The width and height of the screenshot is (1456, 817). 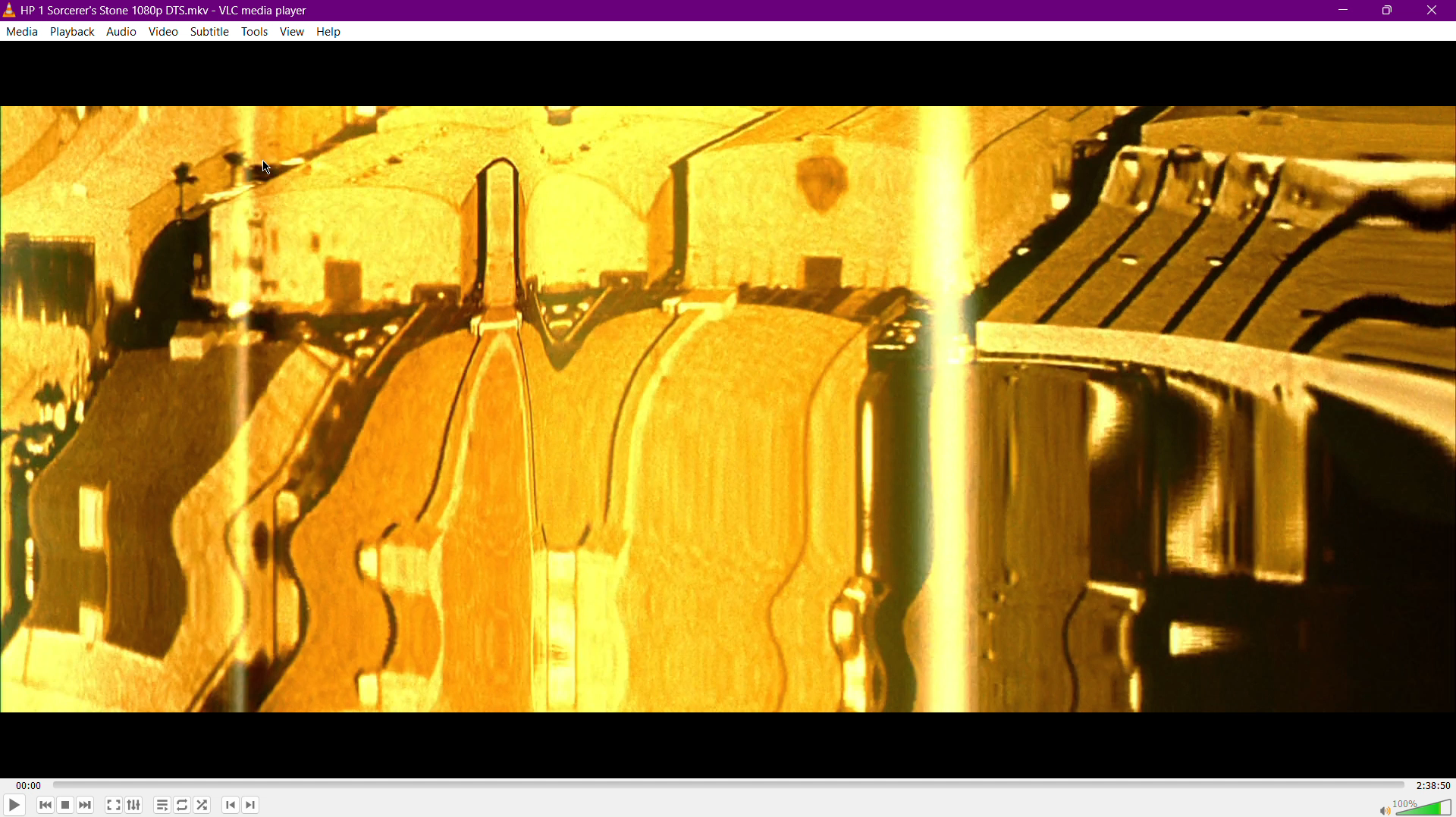 What do you see at coordinates (163, 30) in the screenshot?
I see `Video` at bounding box center [163, 30].